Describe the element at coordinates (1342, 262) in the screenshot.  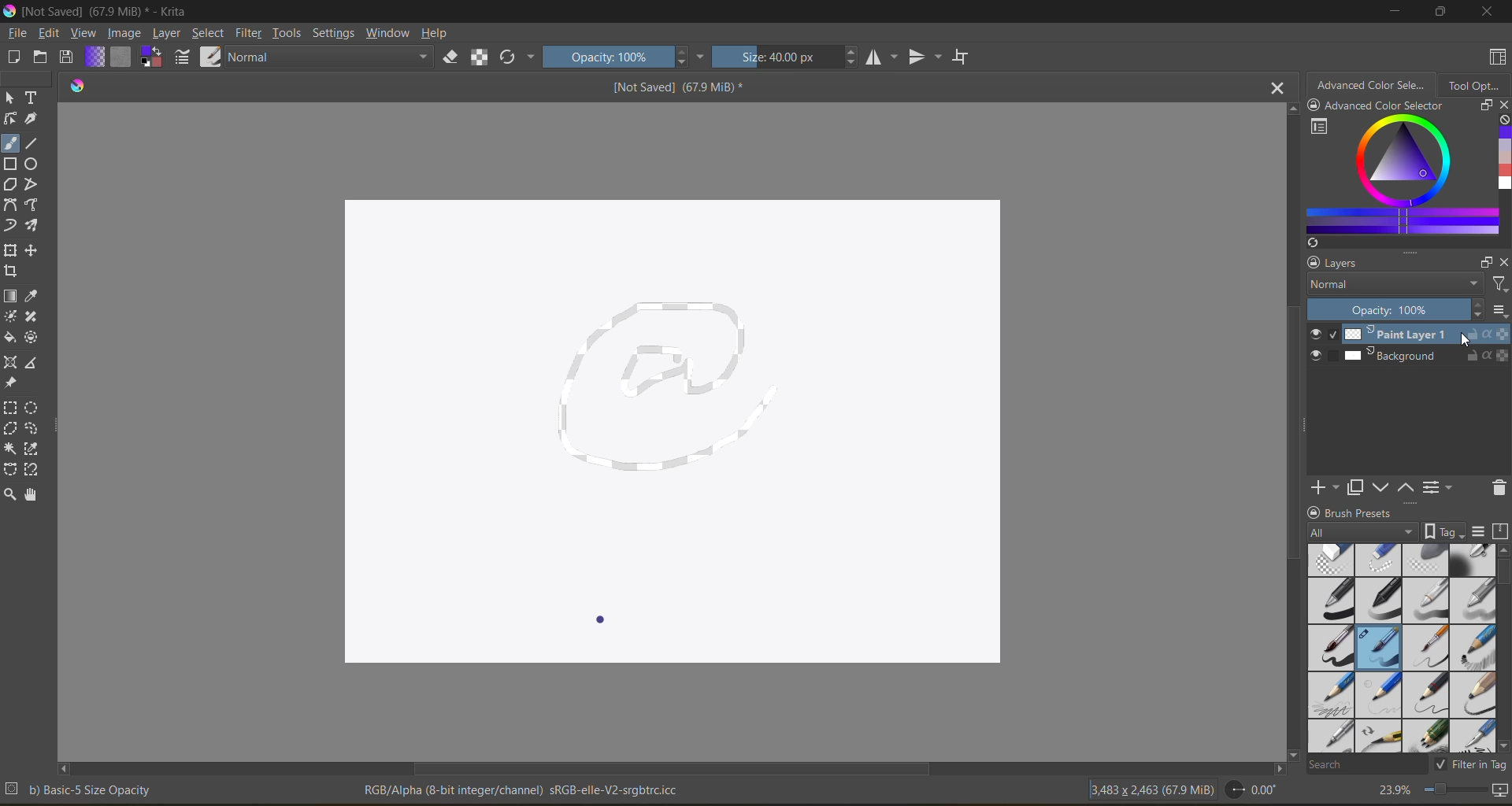
I see `layers` at that location.